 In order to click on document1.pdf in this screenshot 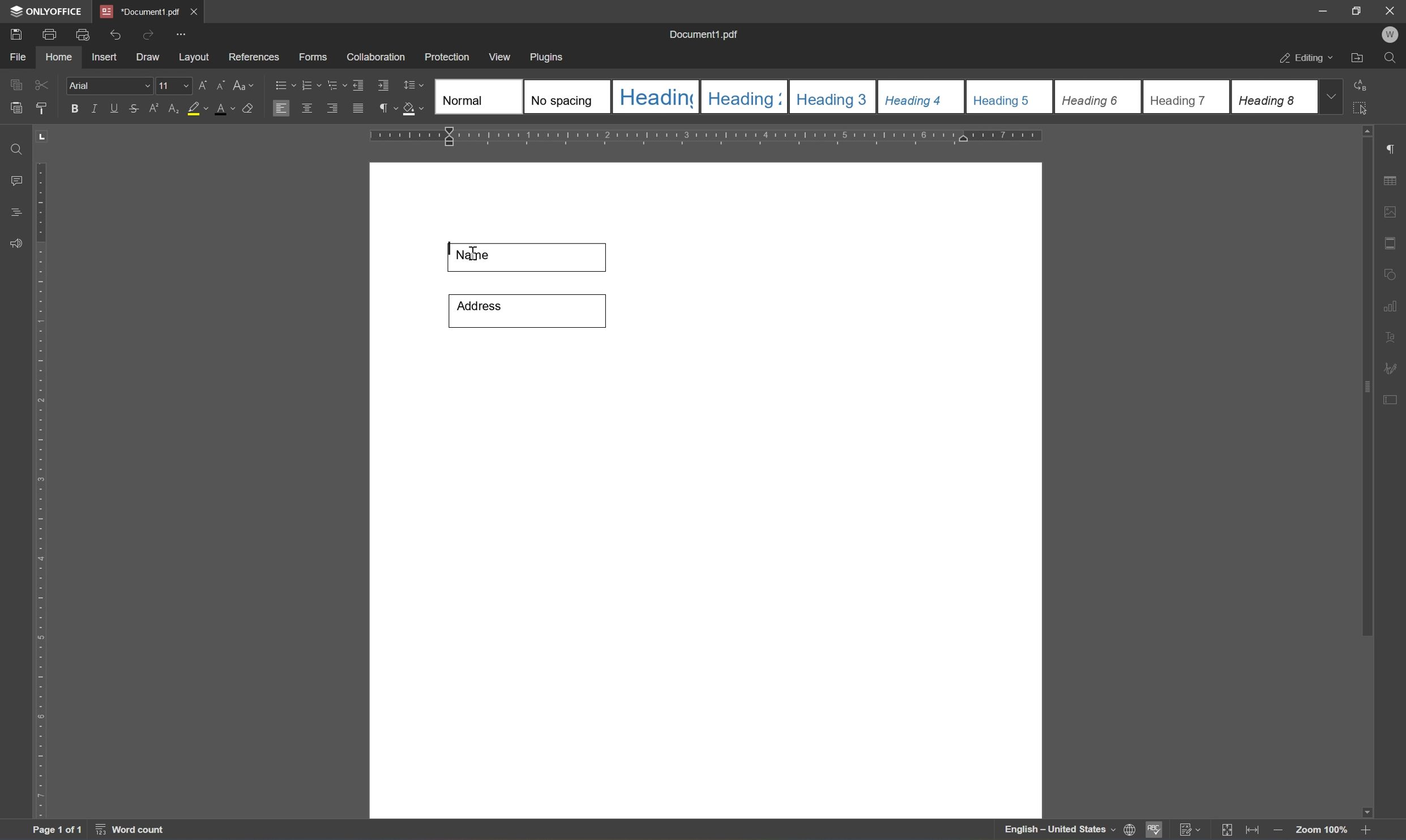, I will do `click(704, 33)`.